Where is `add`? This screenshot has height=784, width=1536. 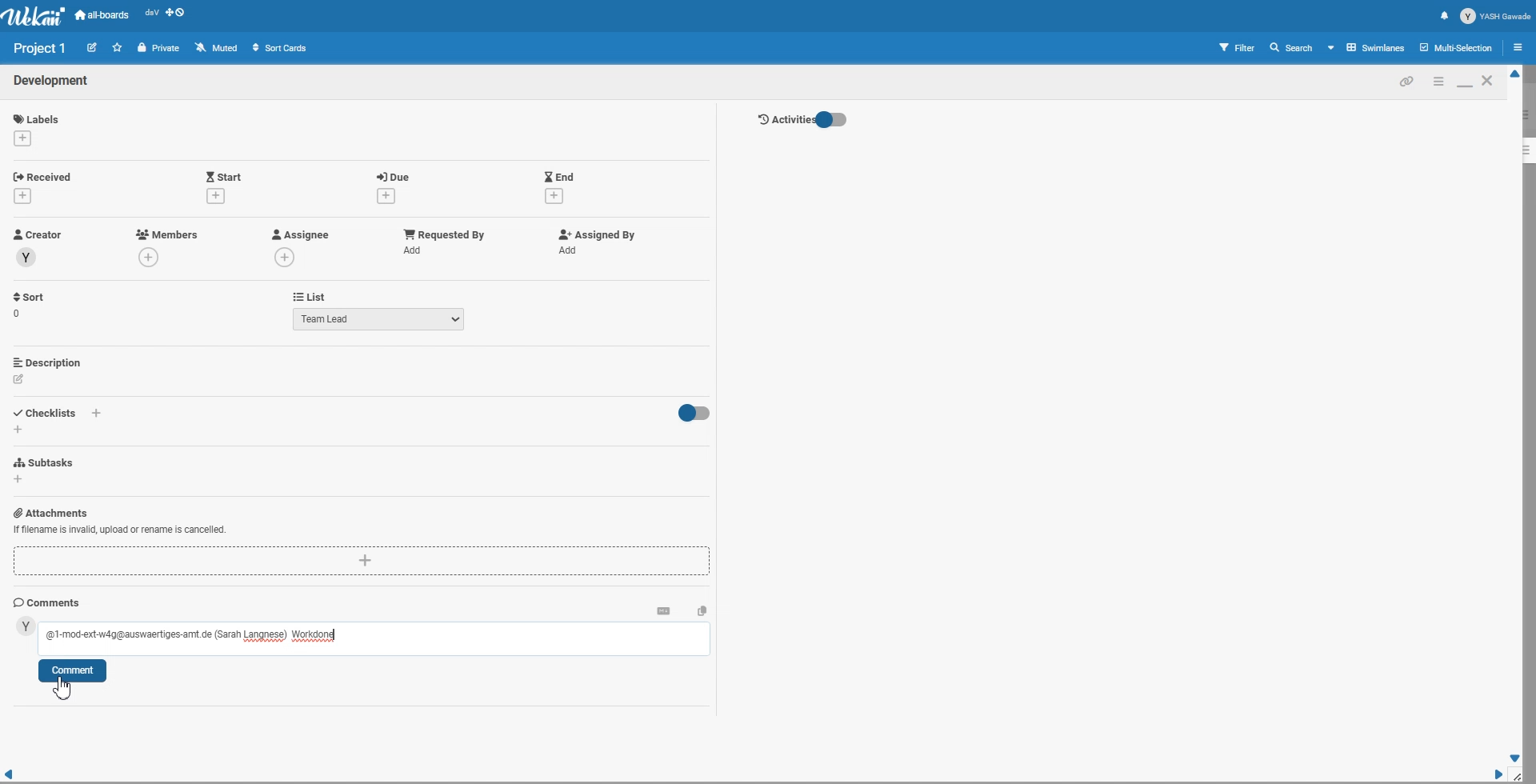 add is located at coordinates (18, 429).